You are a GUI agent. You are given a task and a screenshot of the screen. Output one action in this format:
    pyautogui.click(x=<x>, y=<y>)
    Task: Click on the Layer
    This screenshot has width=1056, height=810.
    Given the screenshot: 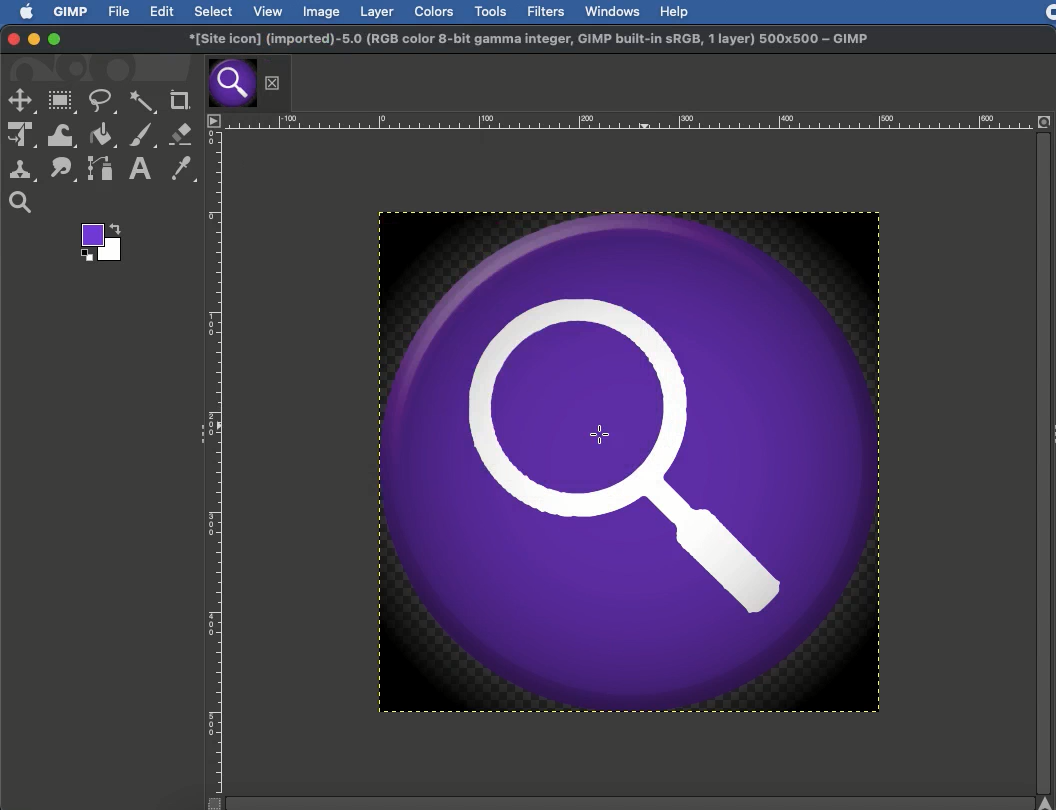 What is the action you would take?
    pyautogui.click(x=374, y=11)
    